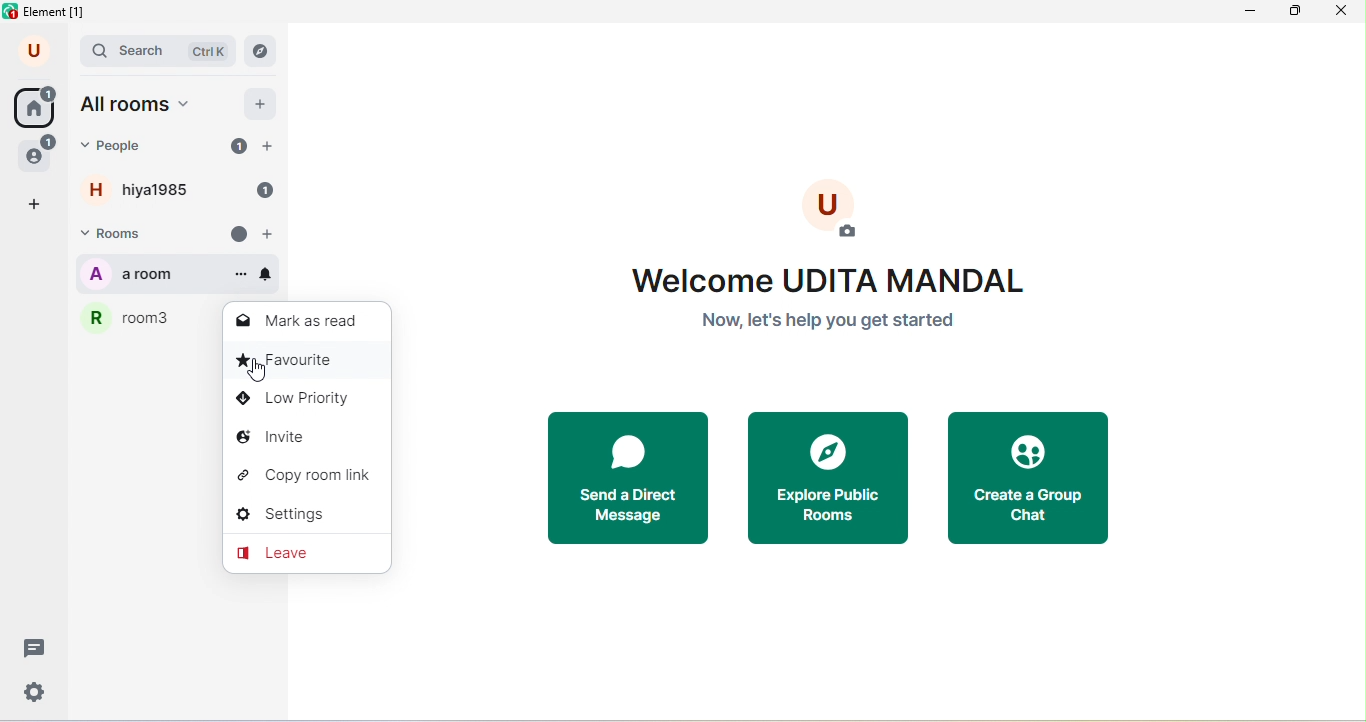  Describe the element at coordinates (305, 400) in the screenshot. I see `low priority` at that location.